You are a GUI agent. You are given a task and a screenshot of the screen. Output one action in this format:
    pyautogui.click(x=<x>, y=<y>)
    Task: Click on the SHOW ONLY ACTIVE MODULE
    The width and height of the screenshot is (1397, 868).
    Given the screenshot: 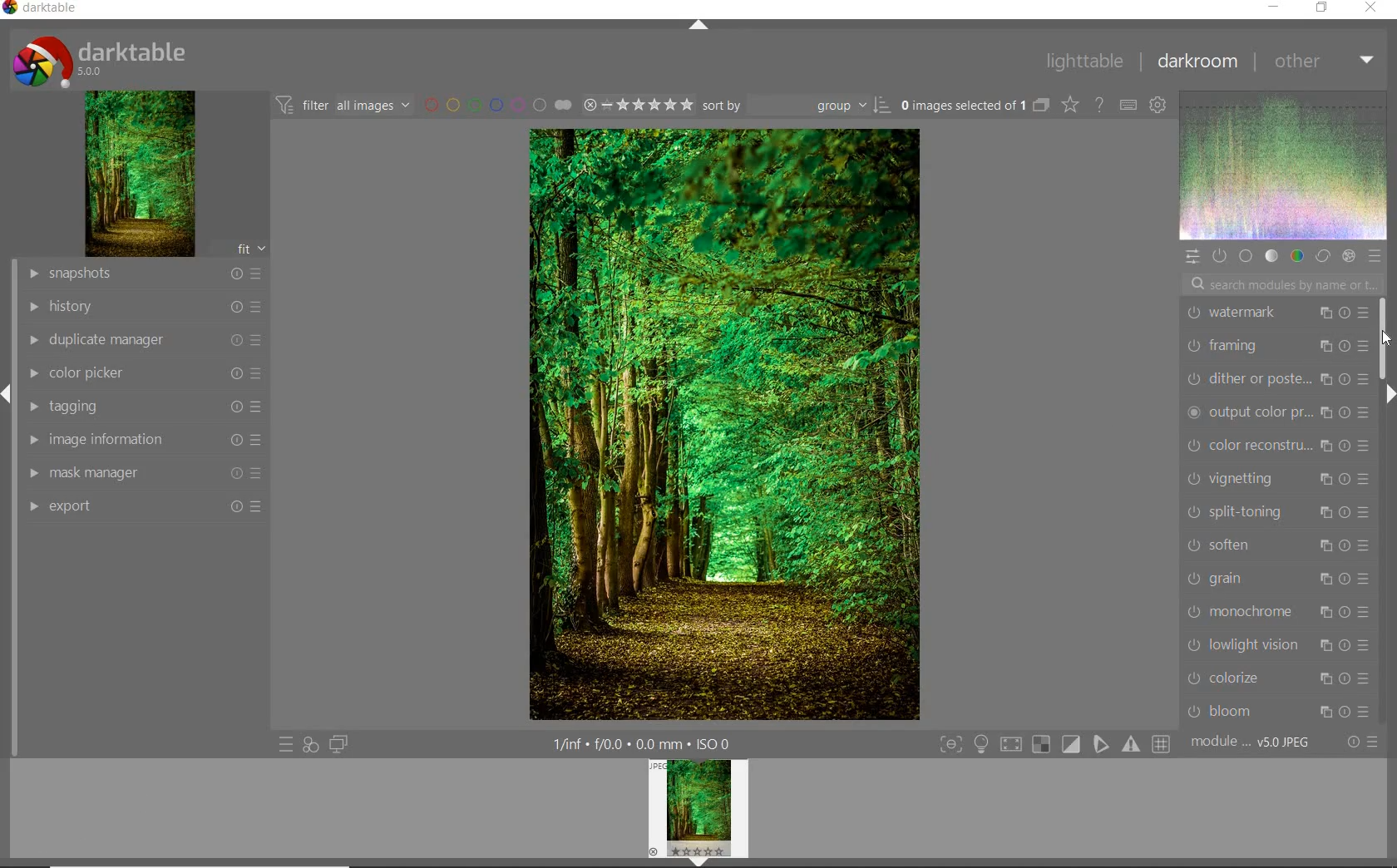 What is the action you would take?
    pyautogui.click(x=1220, y=255)
    